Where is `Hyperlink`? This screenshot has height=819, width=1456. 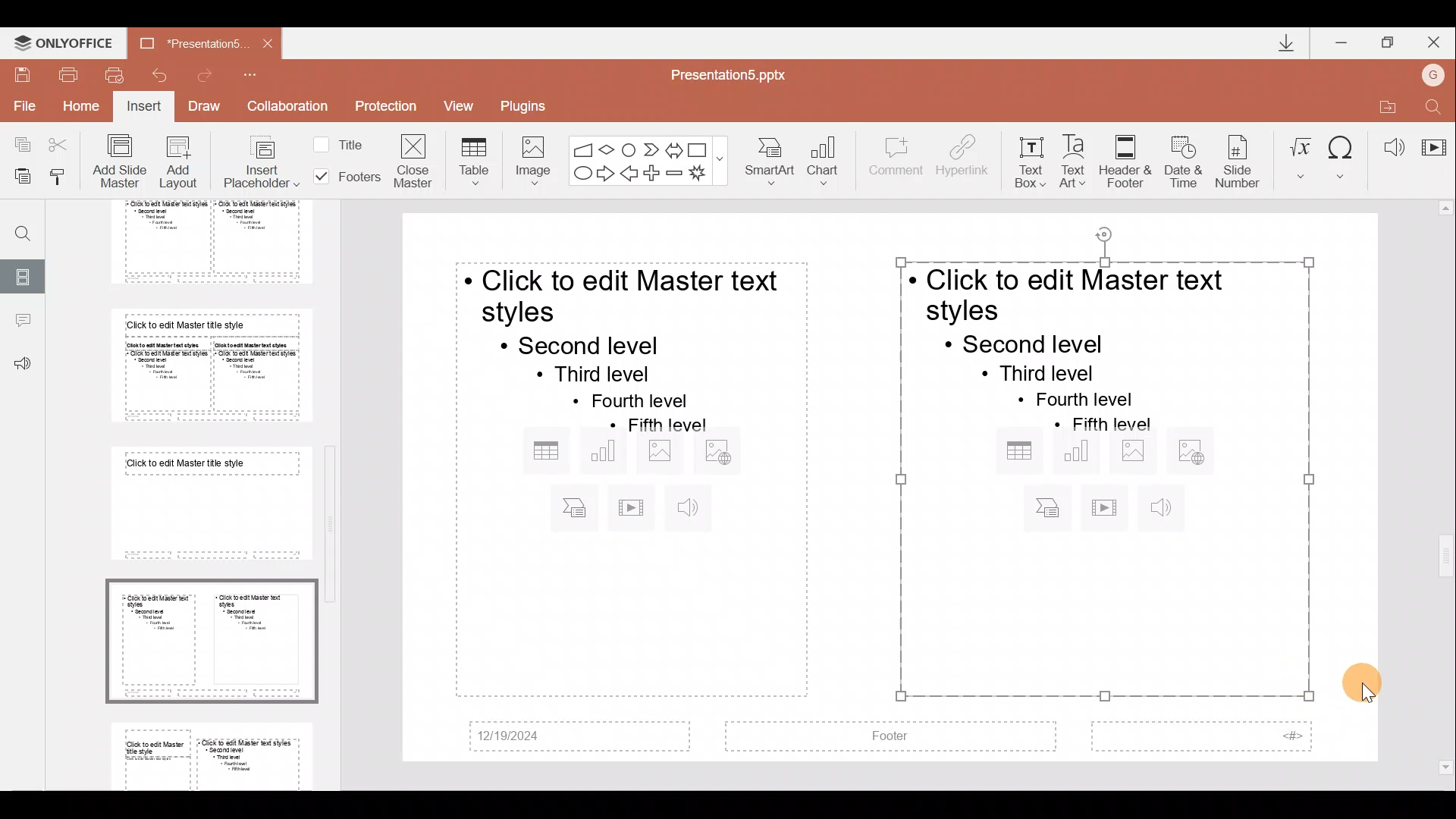
Hyperlink is located at coordinates (964, 158).